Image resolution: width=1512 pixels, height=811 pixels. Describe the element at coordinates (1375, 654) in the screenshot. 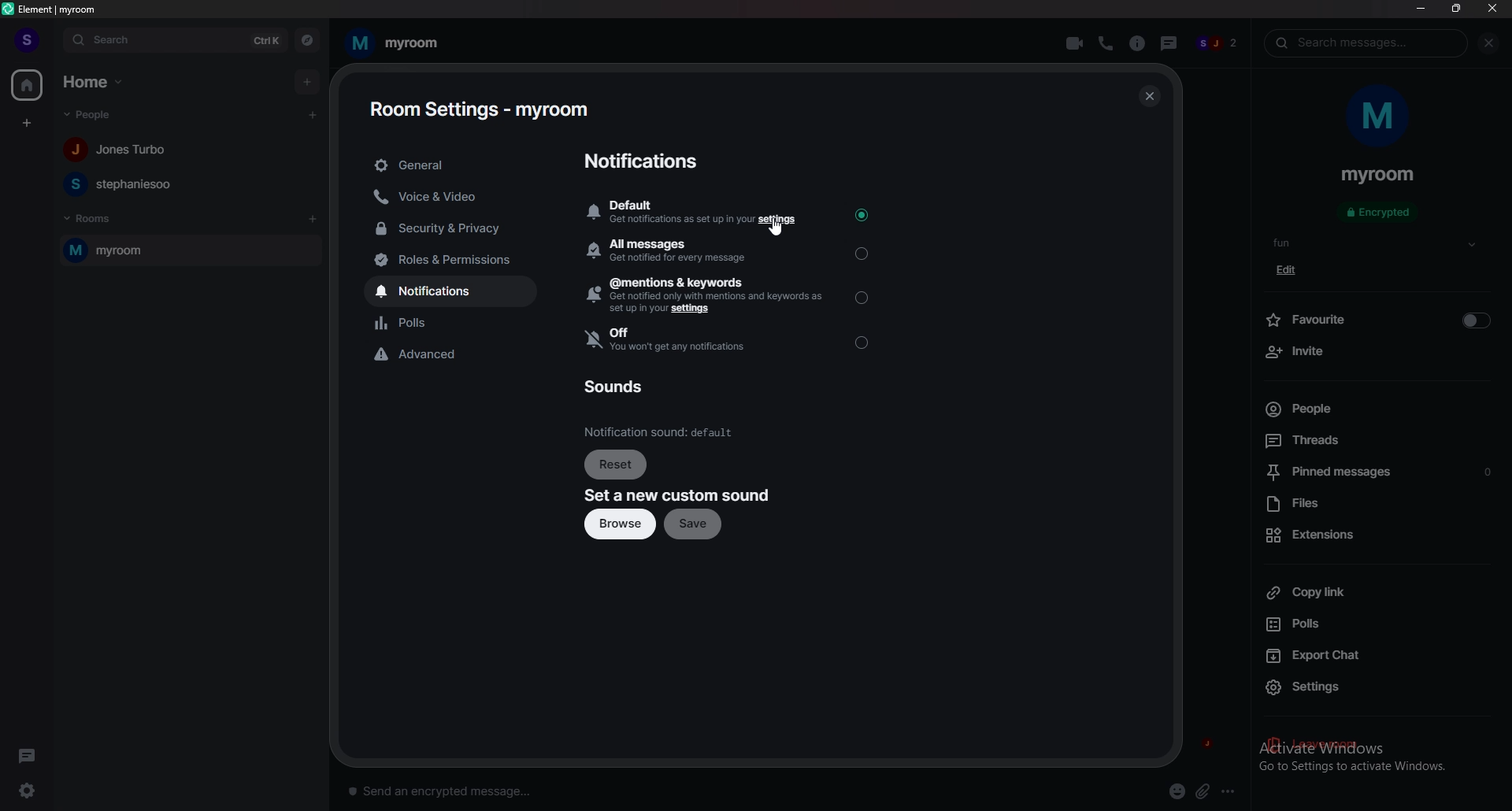

I see `export chat` at that location.